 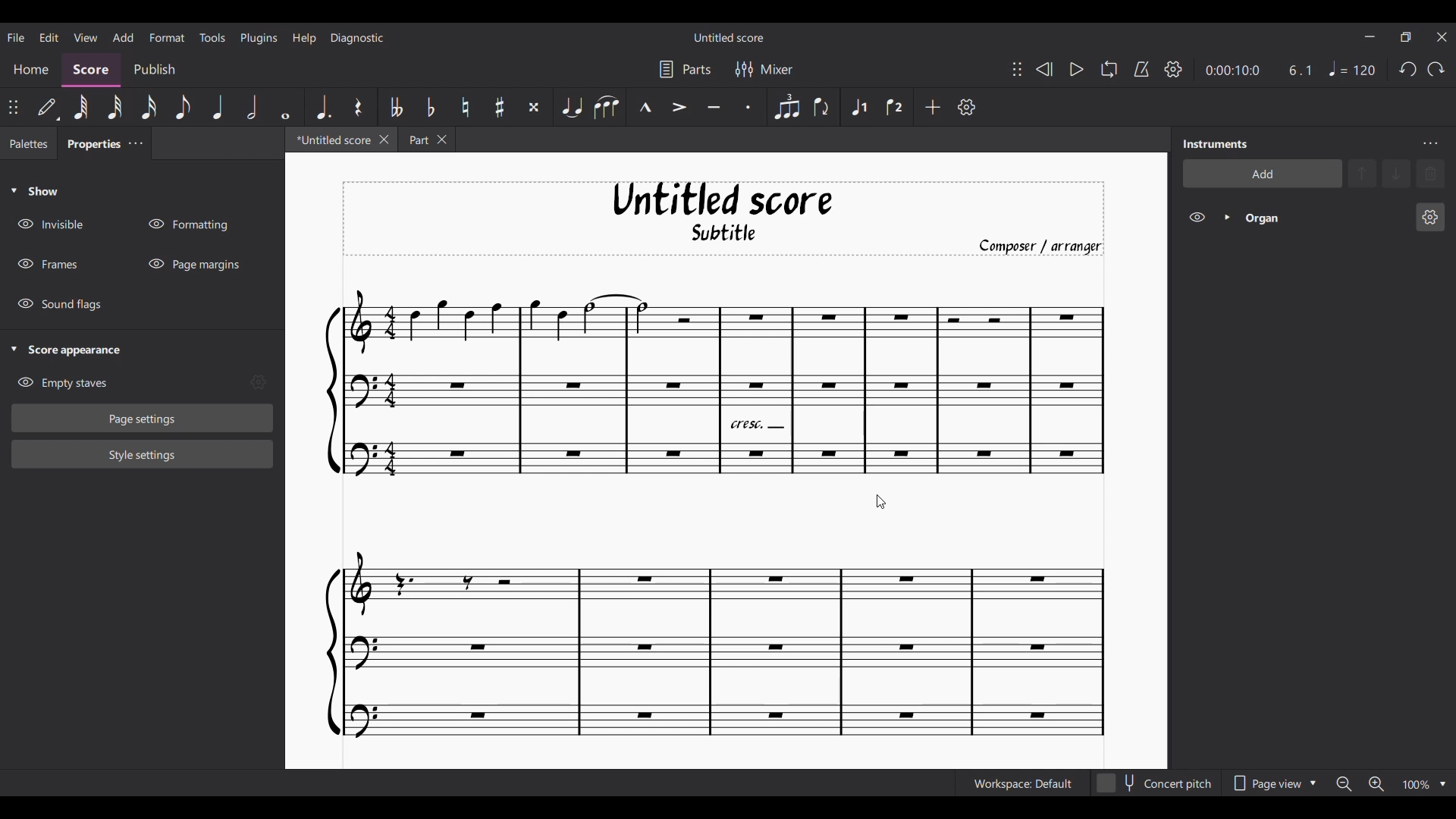 I want to click on Zoom options, so click(x=1442, y=785).